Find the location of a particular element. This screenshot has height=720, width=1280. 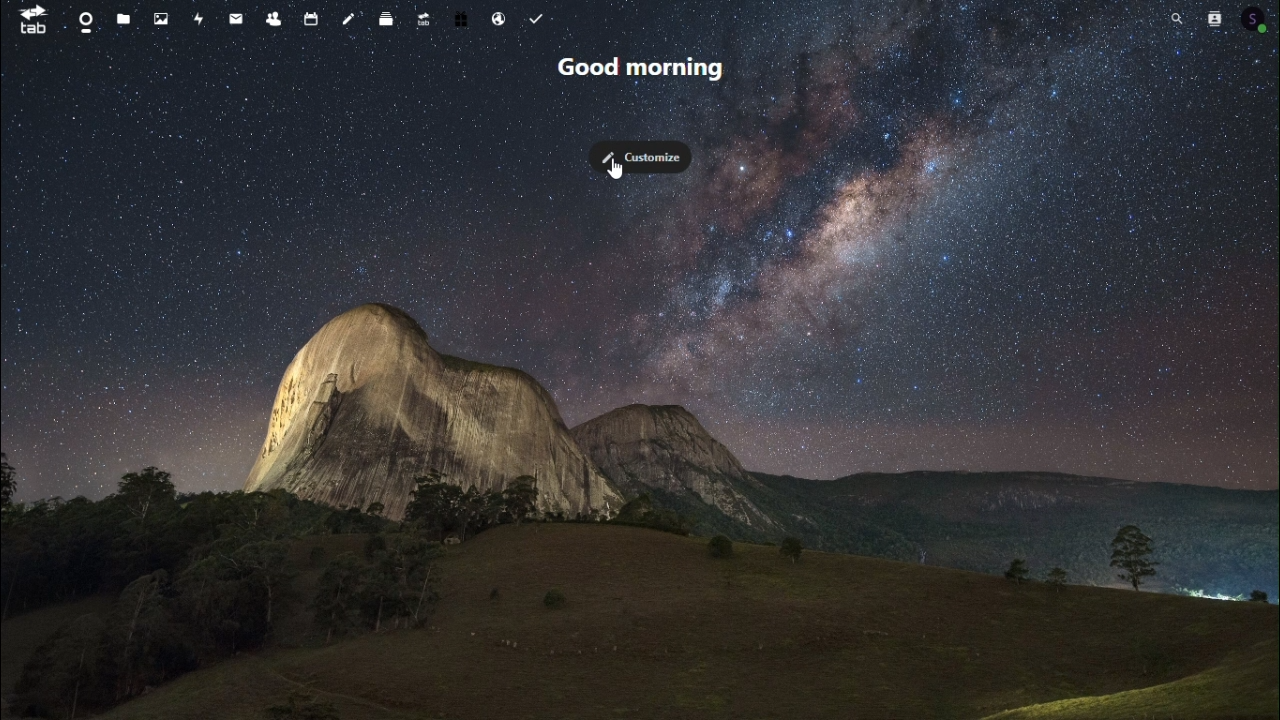

Customise is located at coordinates (646, 158).